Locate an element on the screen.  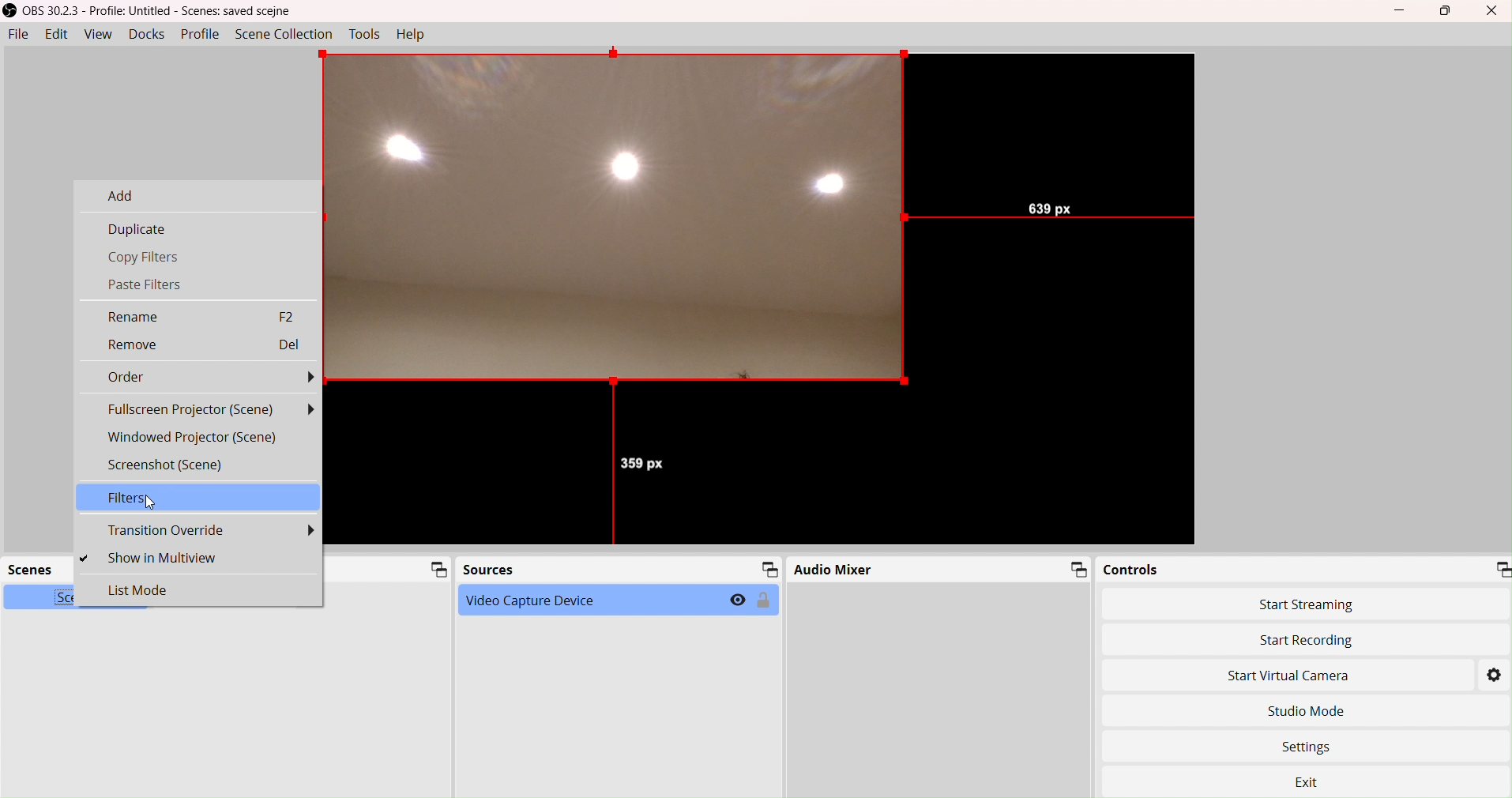
Video Capture Device is located at coordinates (622, 600).